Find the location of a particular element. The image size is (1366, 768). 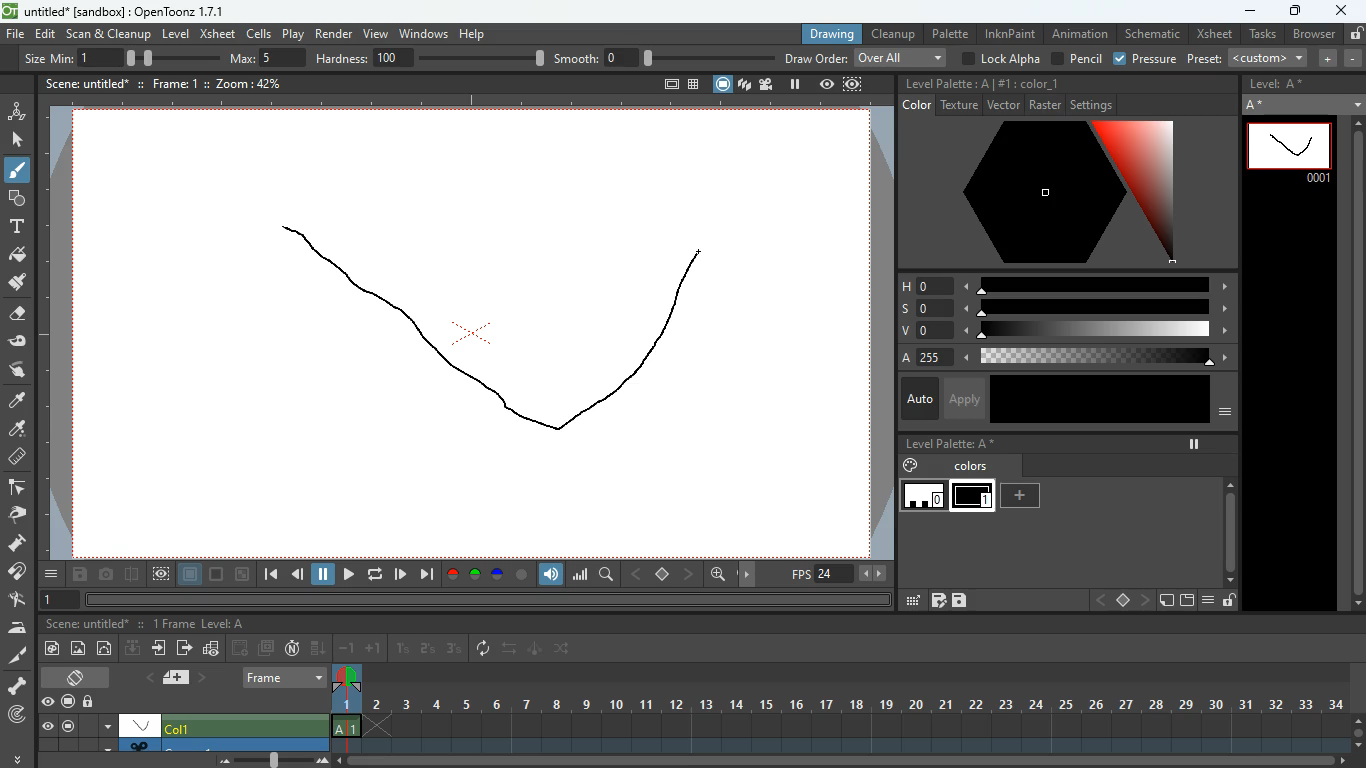

h is located at coordinates (1065, 284).